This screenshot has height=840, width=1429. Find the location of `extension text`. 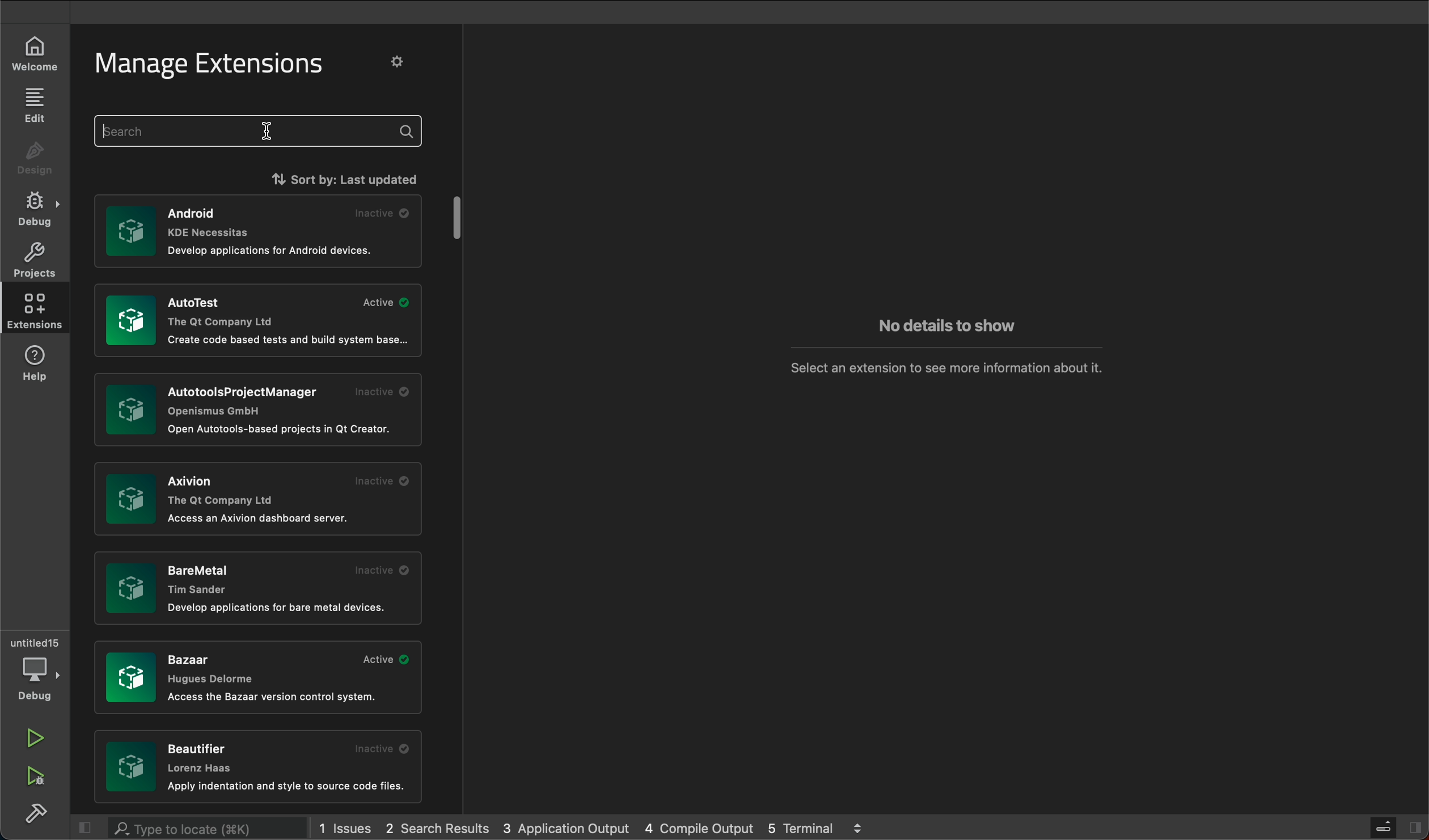

extension text is located at coordinates (290, 340).